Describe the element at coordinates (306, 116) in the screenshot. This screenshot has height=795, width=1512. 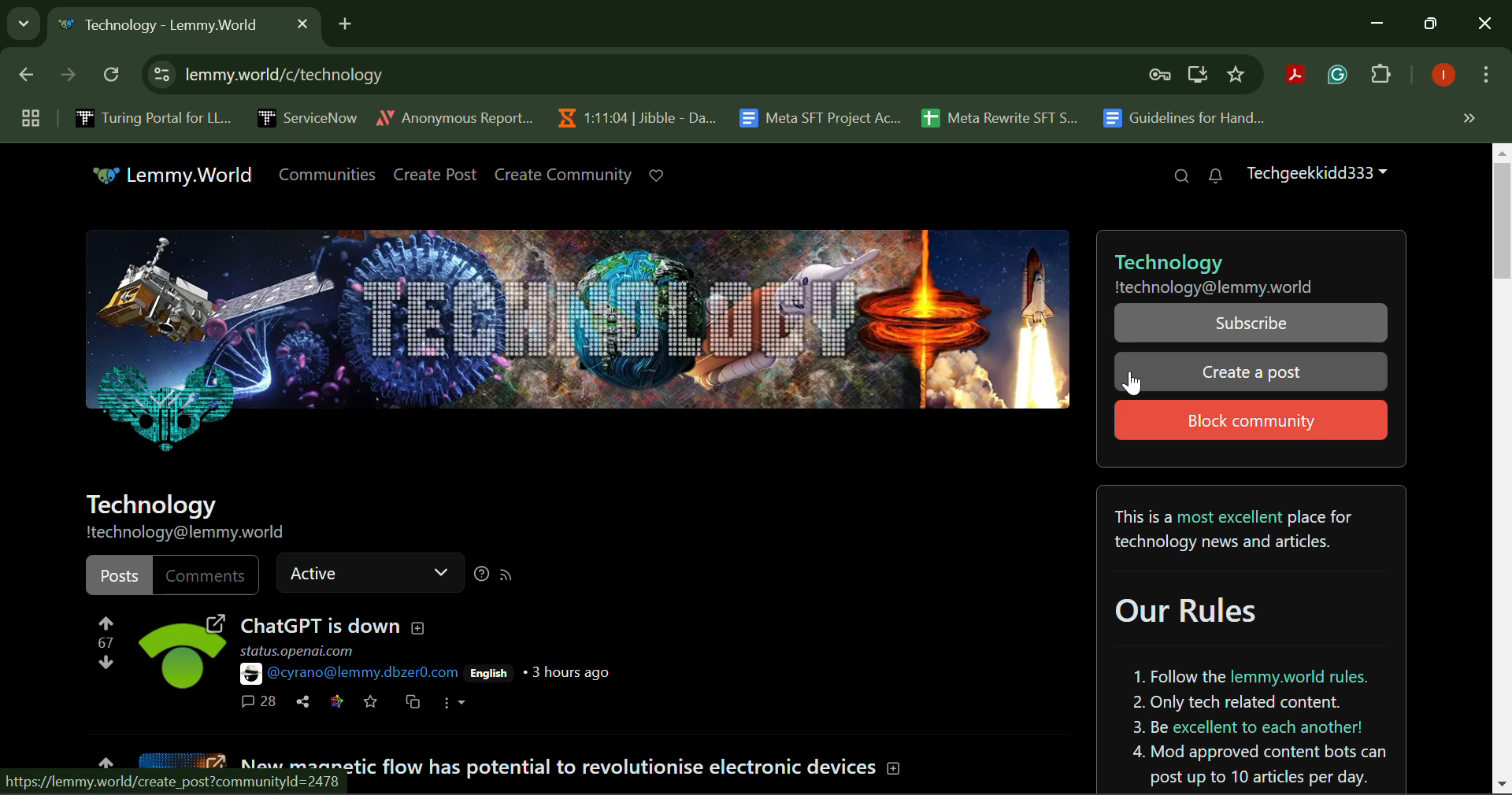
I see `ServiceNow` at that location.